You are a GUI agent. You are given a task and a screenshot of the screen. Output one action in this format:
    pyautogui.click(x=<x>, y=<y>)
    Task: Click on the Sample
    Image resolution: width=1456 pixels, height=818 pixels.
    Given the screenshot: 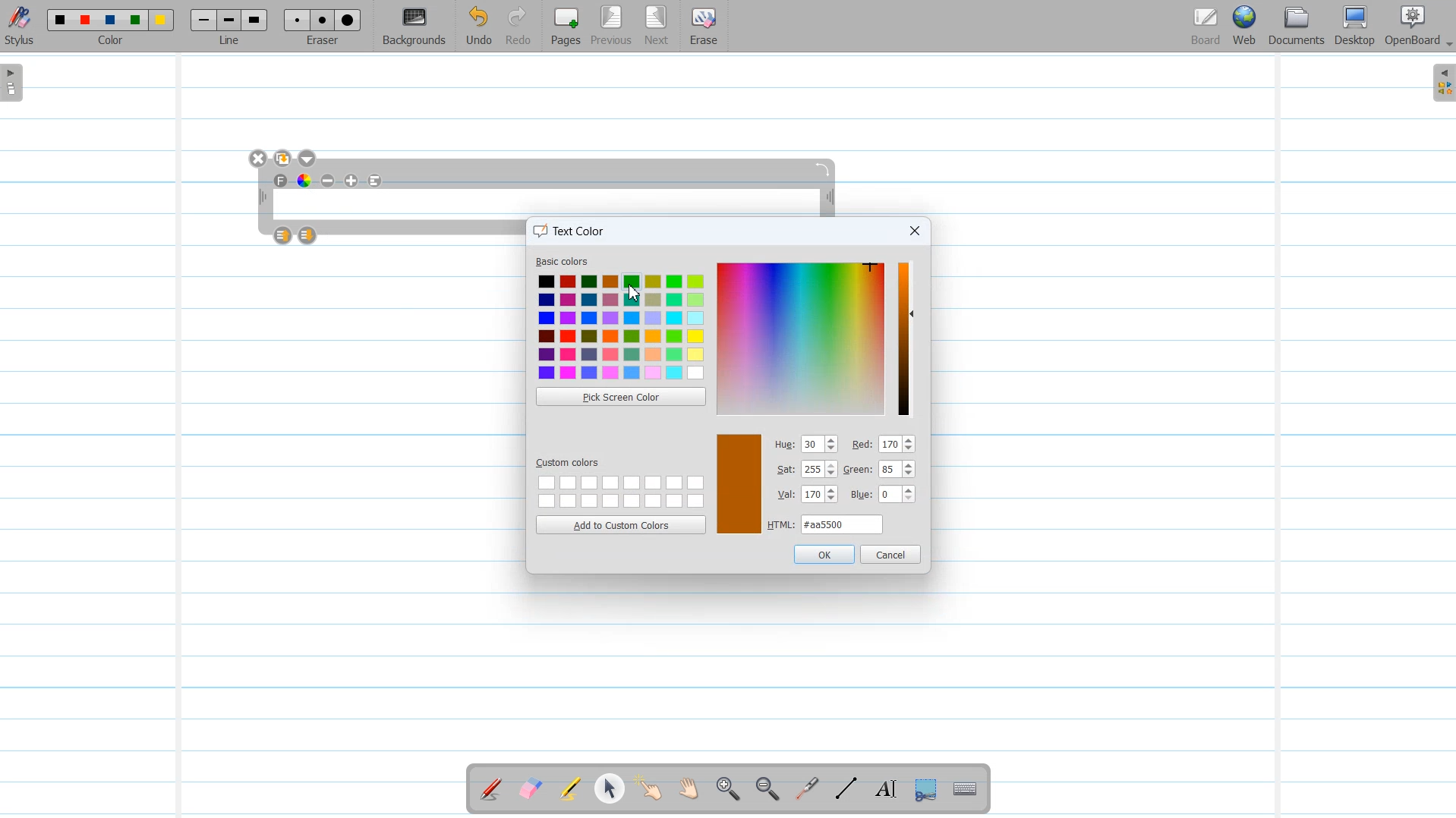 What is the action you would take?
    pyautogui.click(x=739, y=484)
    